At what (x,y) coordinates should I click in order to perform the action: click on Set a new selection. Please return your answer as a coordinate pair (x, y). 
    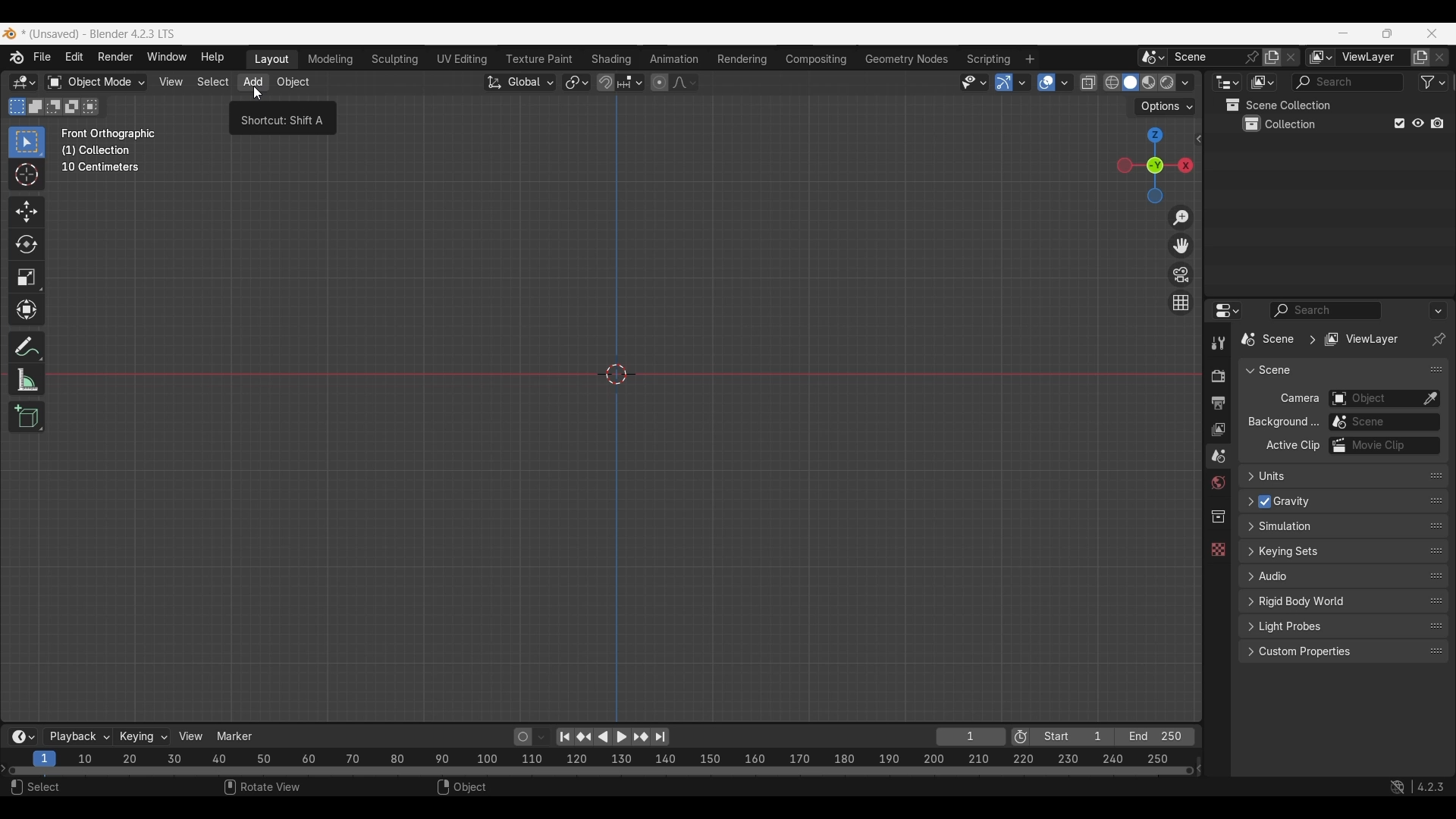
    Looking at the image, I should click on (17, 106).